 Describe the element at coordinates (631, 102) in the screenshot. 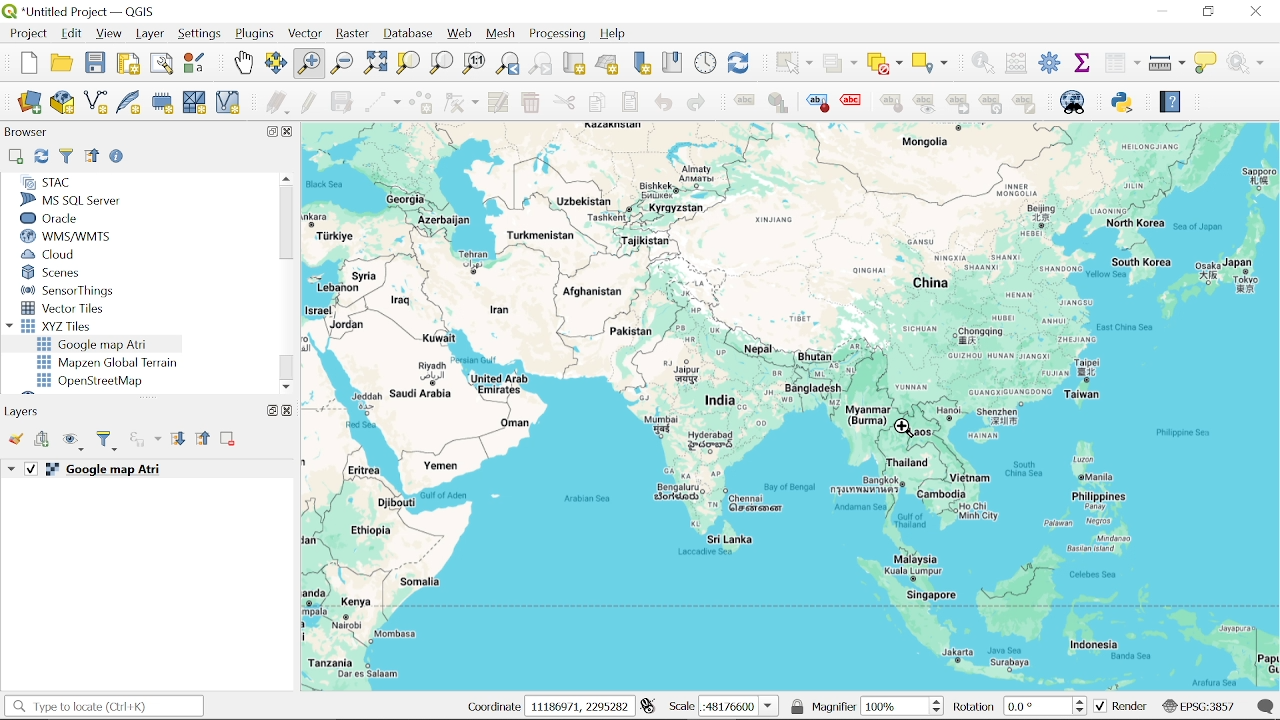

I see `Paste feature` at that location.